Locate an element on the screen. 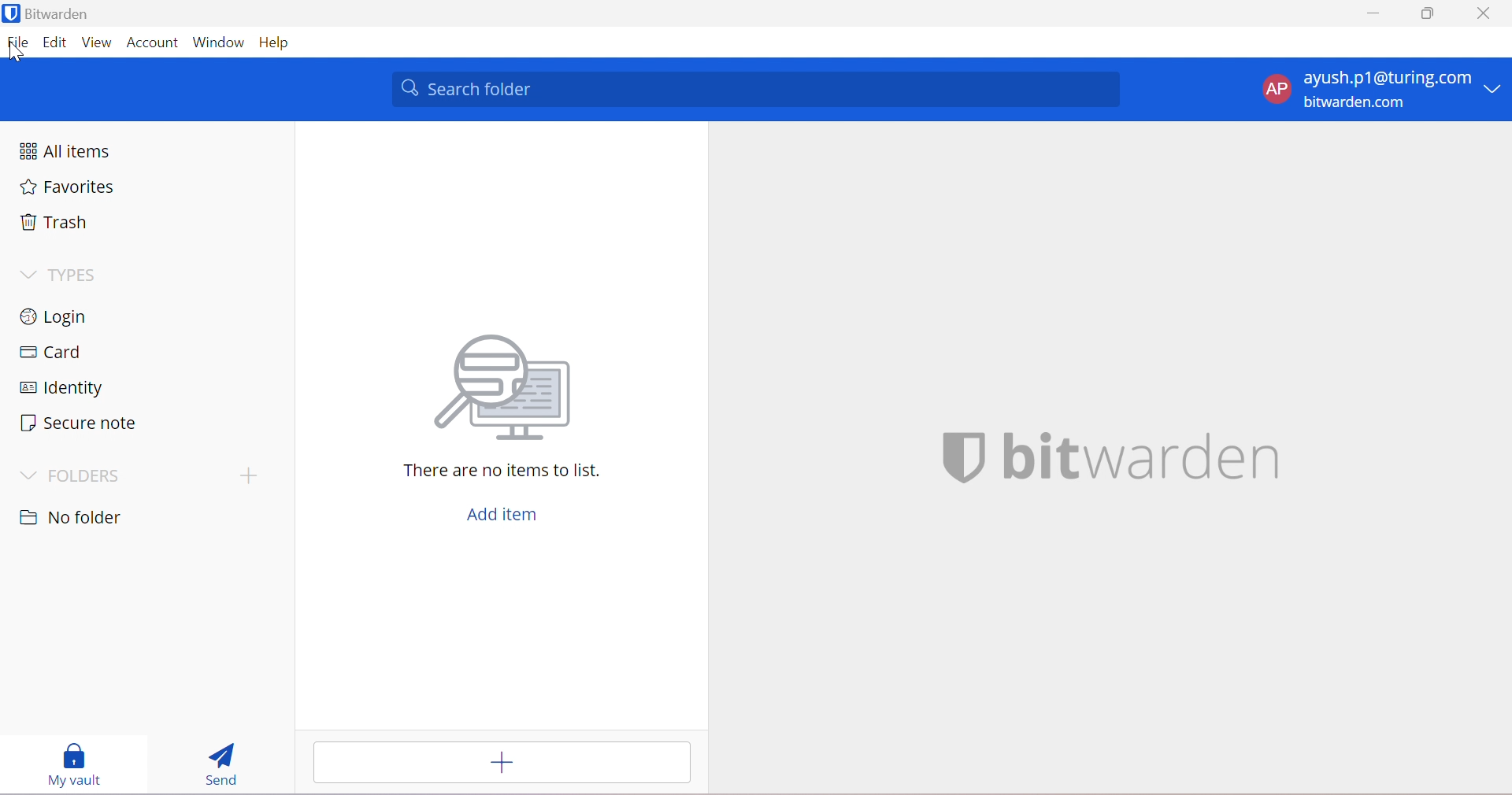  Card is located at coordinates (51, 352).